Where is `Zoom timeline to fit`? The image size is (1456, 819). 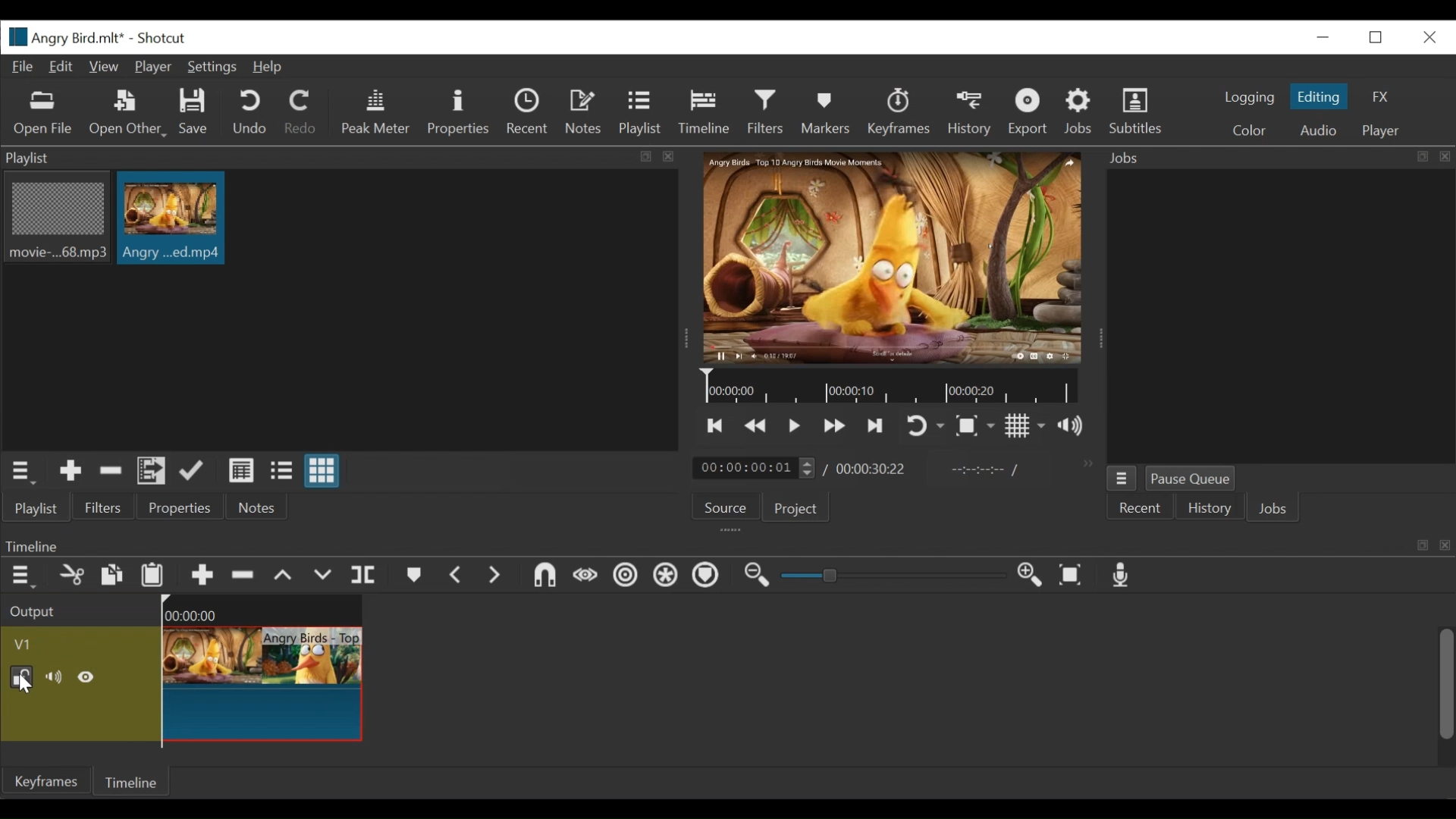 Zoom timeline to fit is located at coordinates (1073, 576).